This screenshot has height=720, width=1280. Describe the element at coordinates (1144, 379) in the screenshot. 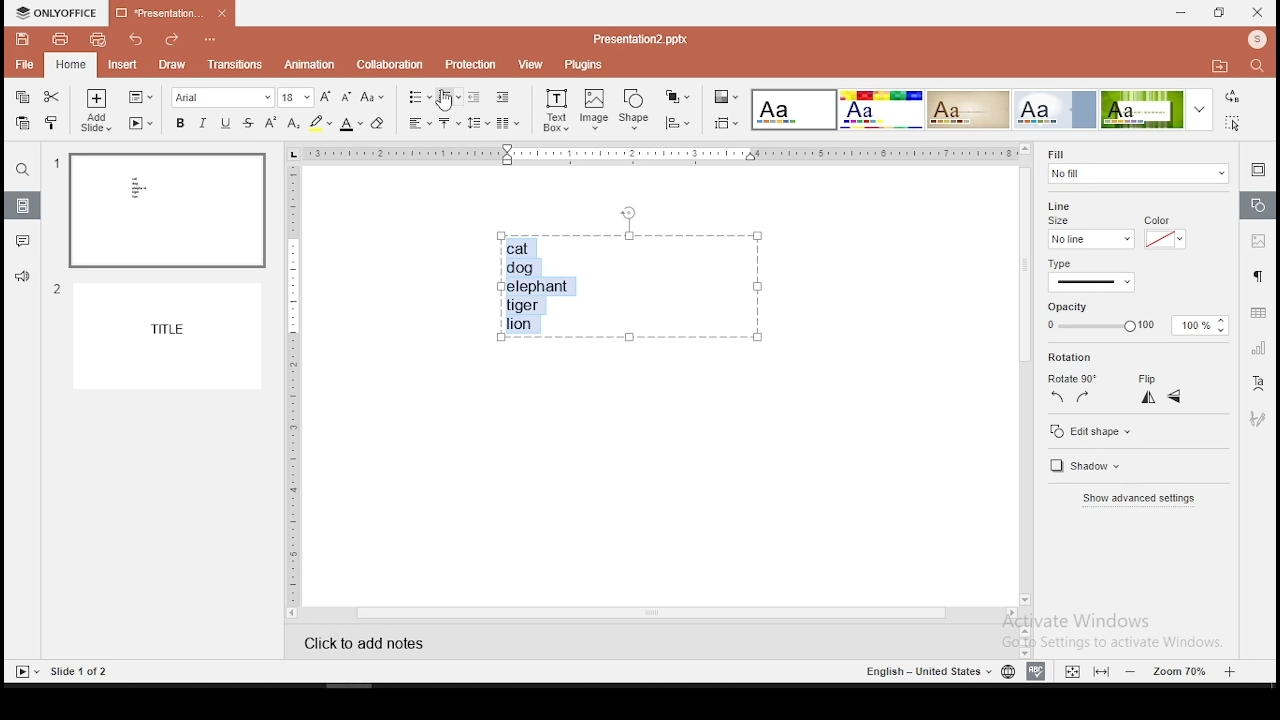

I see `flip` at that location.